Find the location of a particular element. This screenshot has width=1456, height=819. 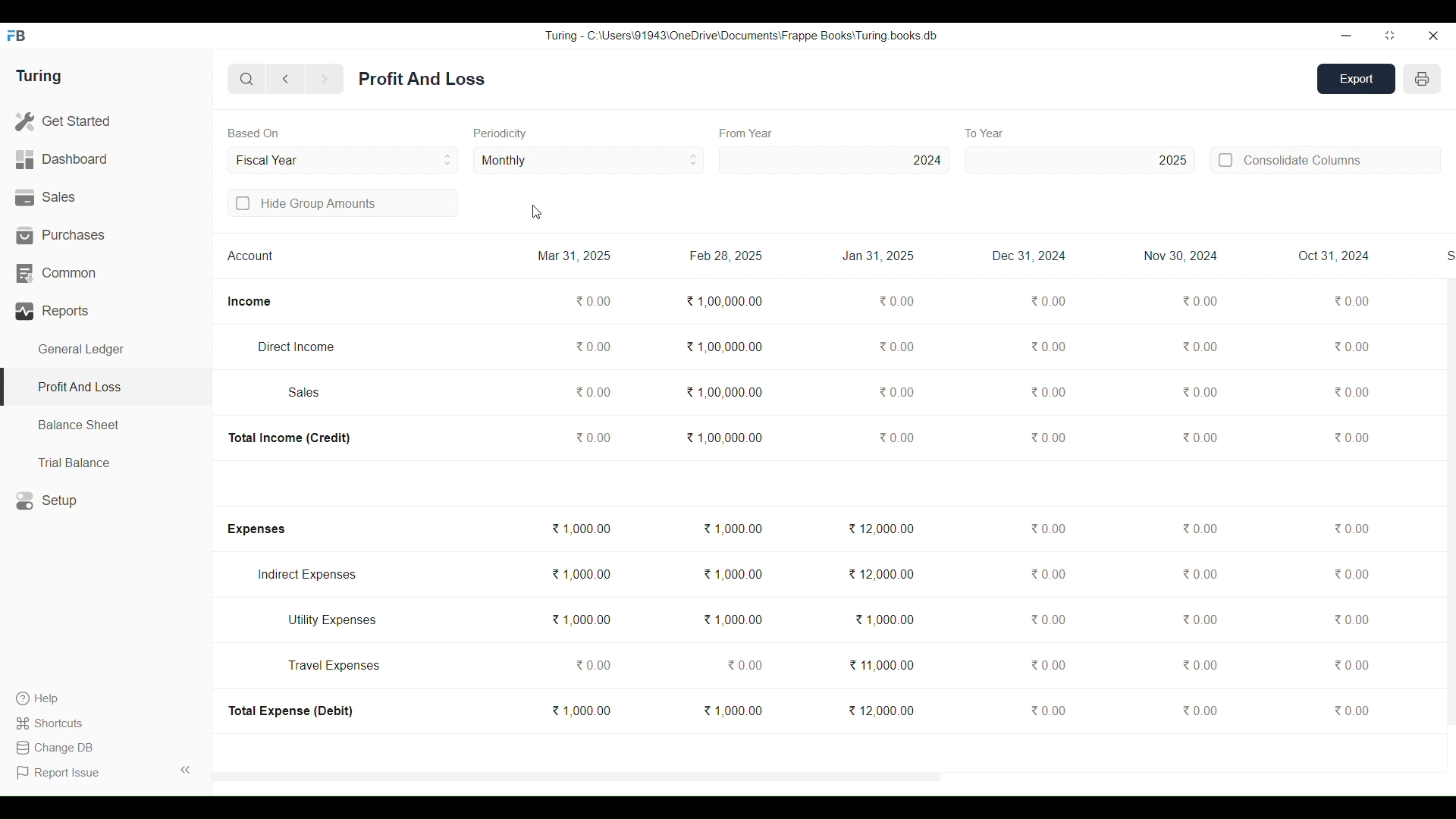

0.00 is located at coordinates (897, 302).